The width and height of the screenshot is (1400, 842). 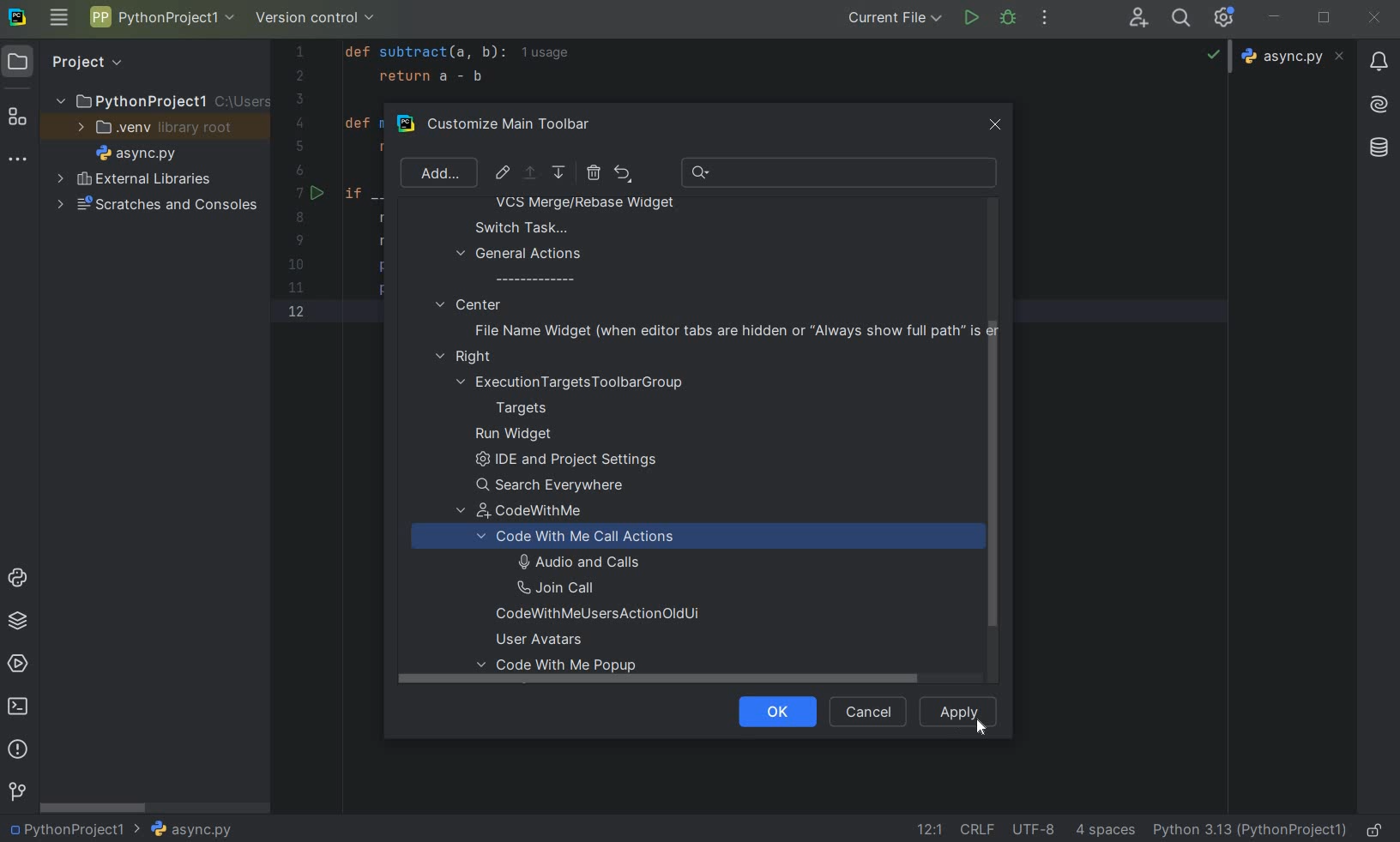 I want to click on file name widget, so click(x=732, y=330).